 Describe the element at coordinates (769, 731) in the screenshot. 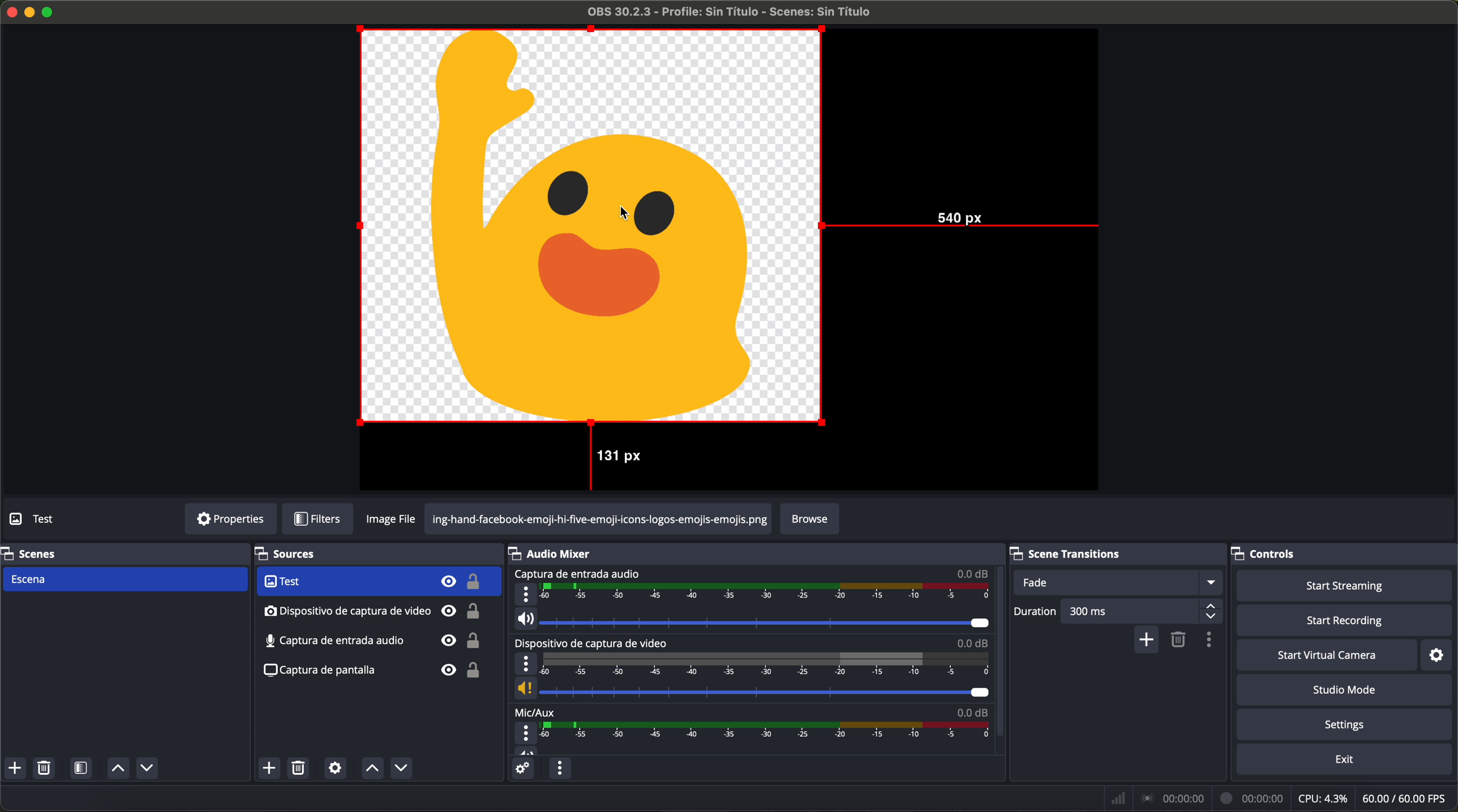

I see `timeline` at that location.